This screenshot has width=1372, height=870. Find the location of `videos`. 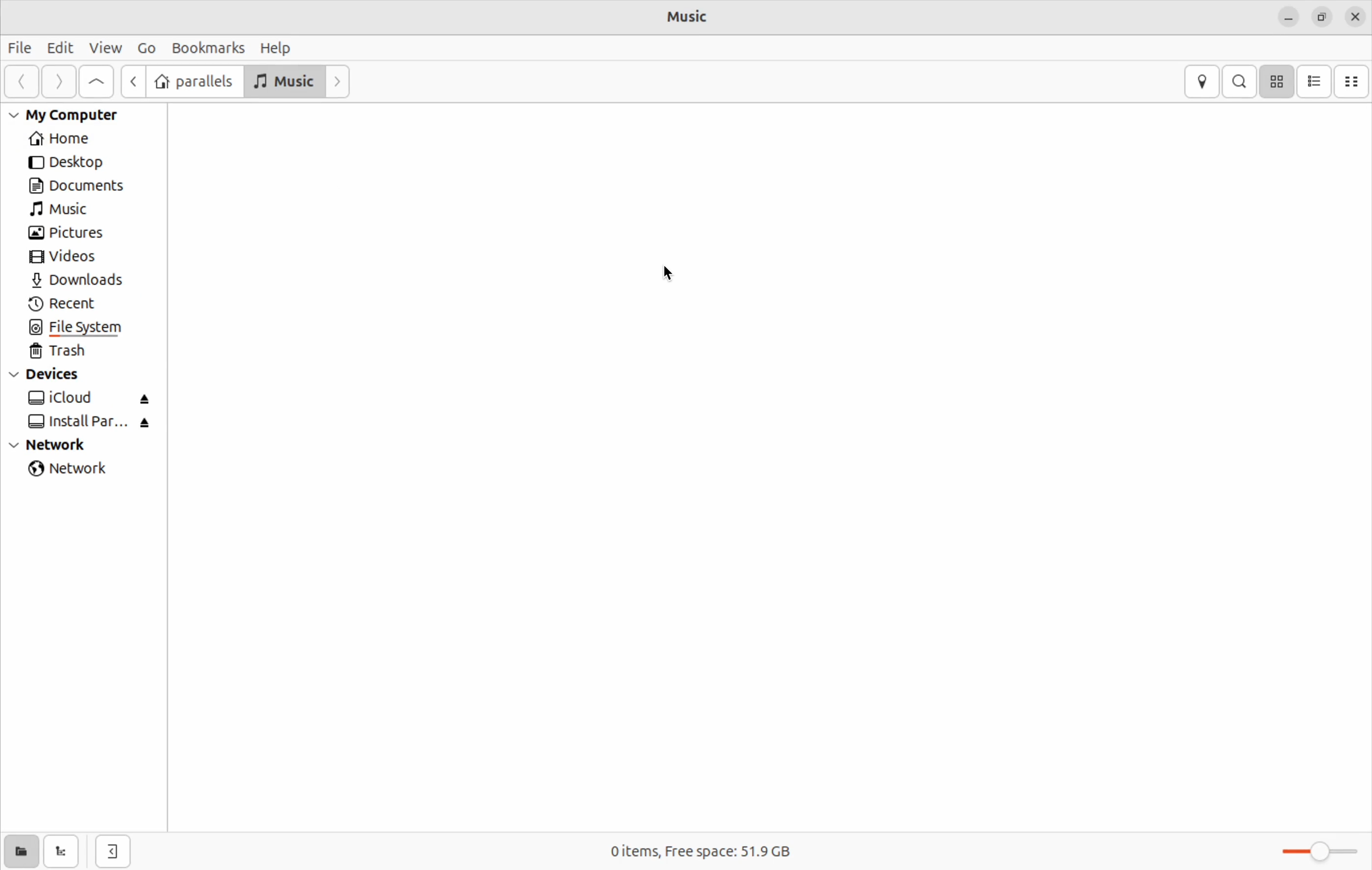

videos is located at coordinates (69, 259).